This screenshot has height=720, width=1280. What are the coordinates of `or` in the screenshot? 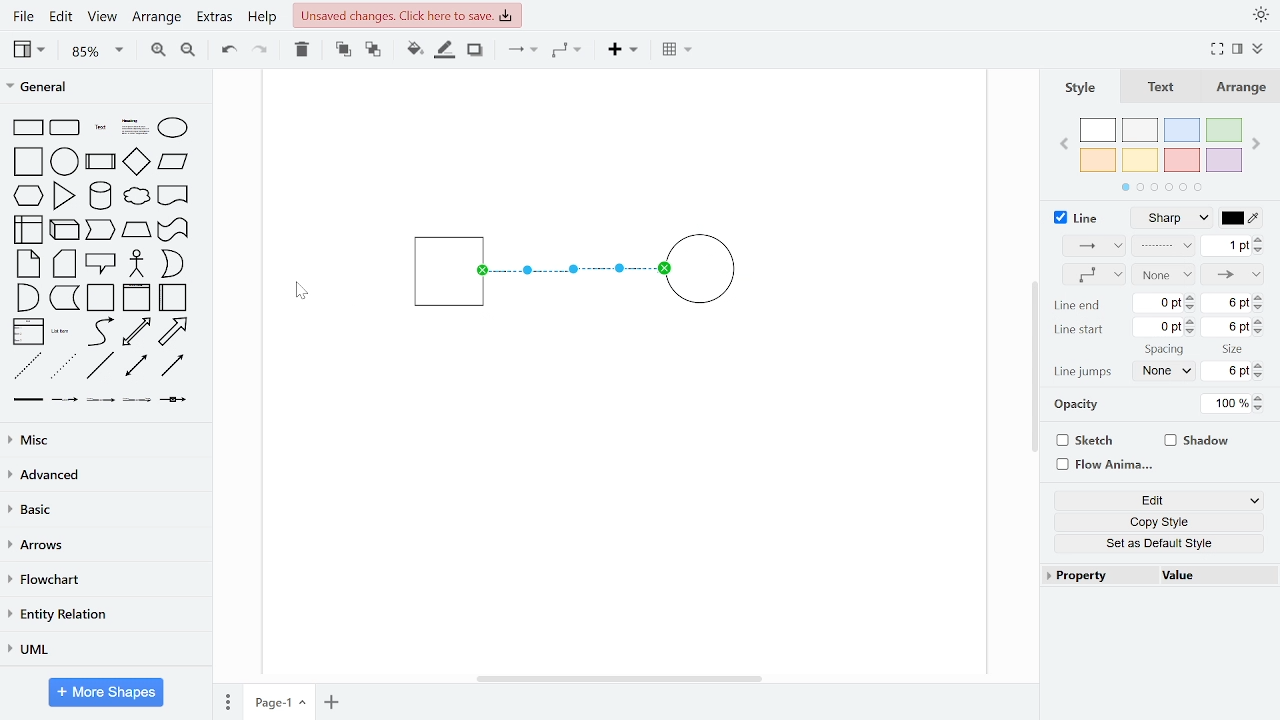 It's located at (172, 264).